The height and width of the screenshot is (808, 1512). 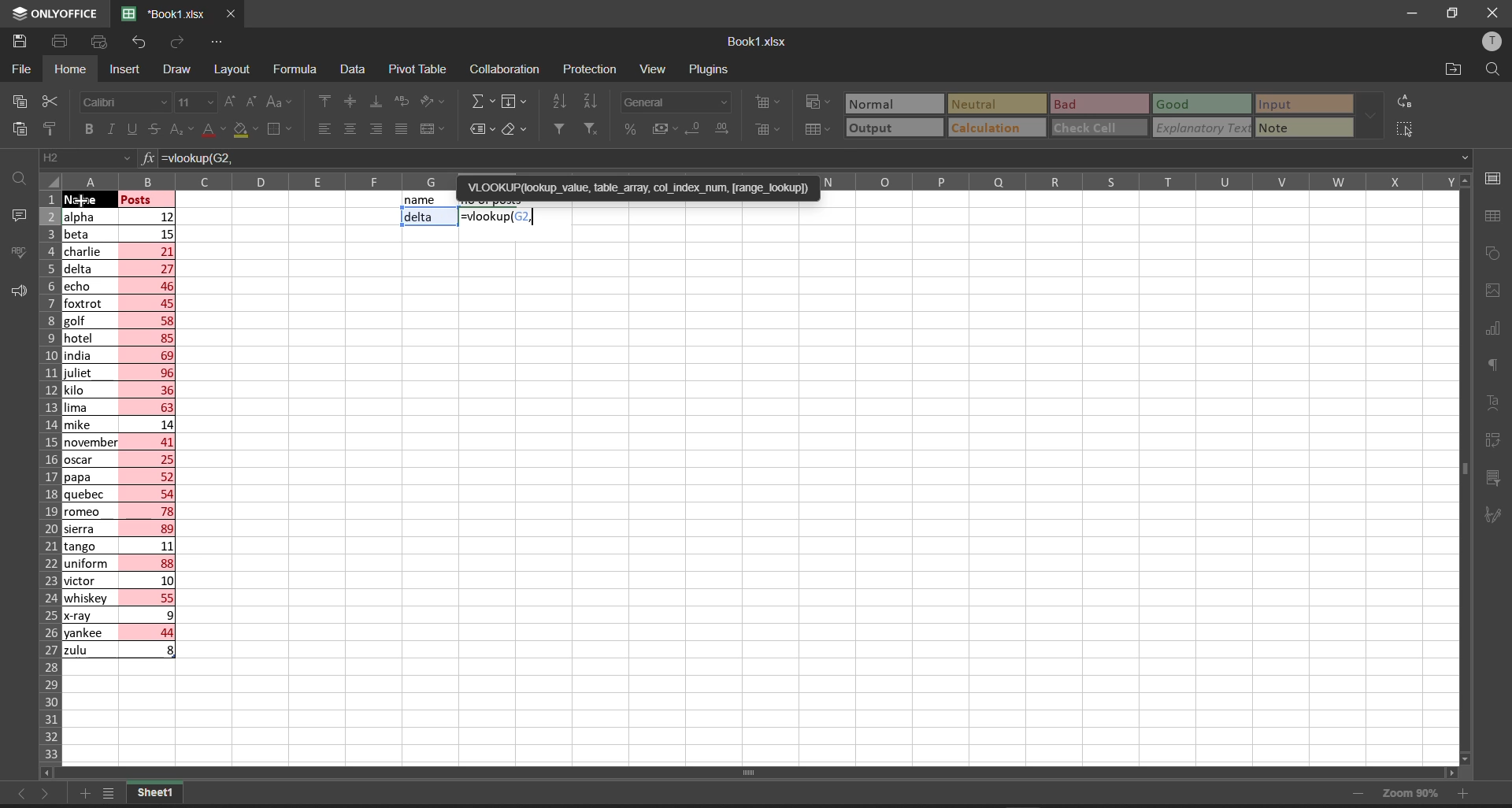 What do you see at coordinates (230, 102) in the screenshot?
I see `increment font size` at bounding box center [230, 102].